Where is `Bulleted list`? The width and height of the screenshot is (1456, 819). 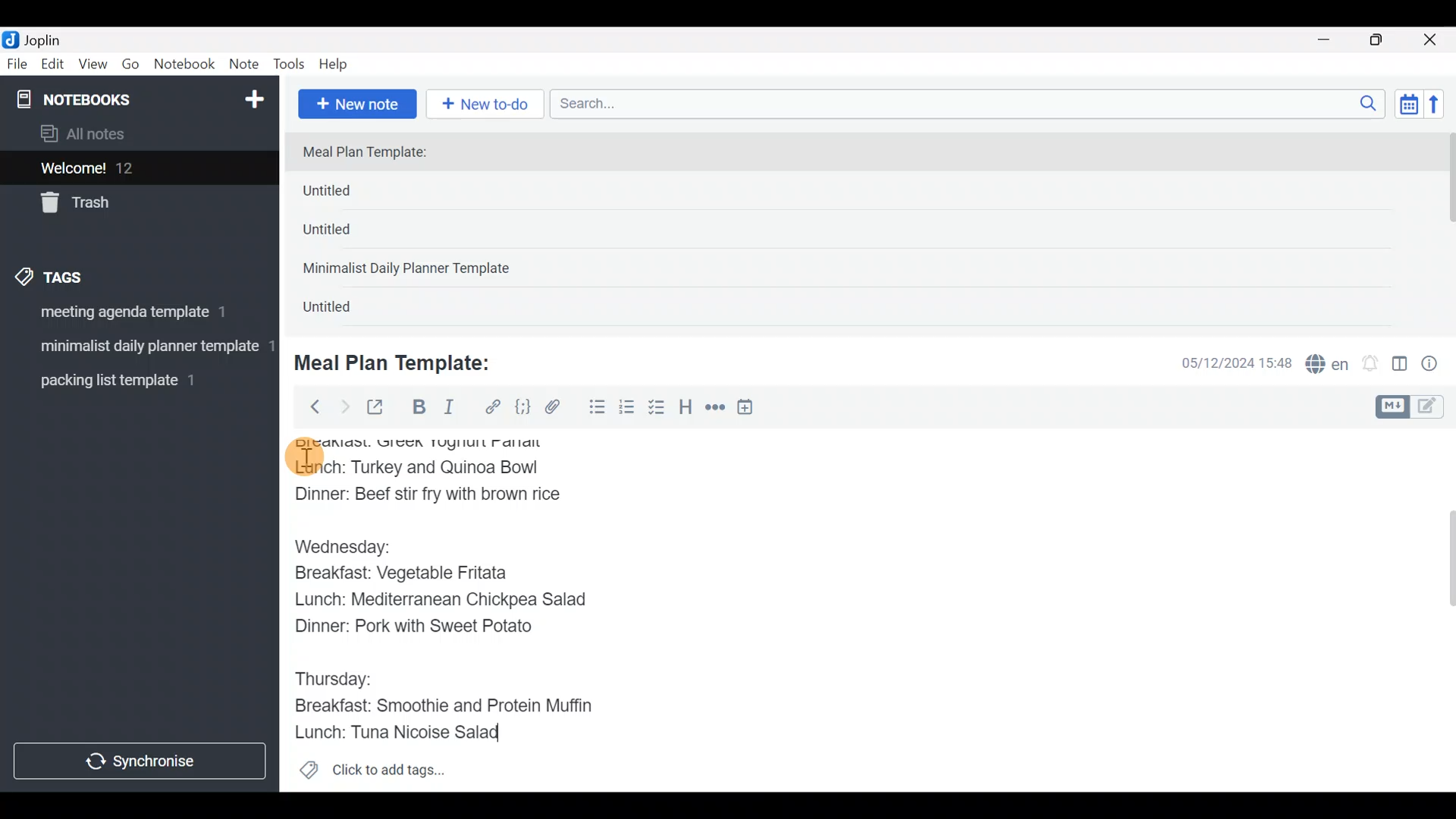
Bulleted list is located at coordinates (594, 408).